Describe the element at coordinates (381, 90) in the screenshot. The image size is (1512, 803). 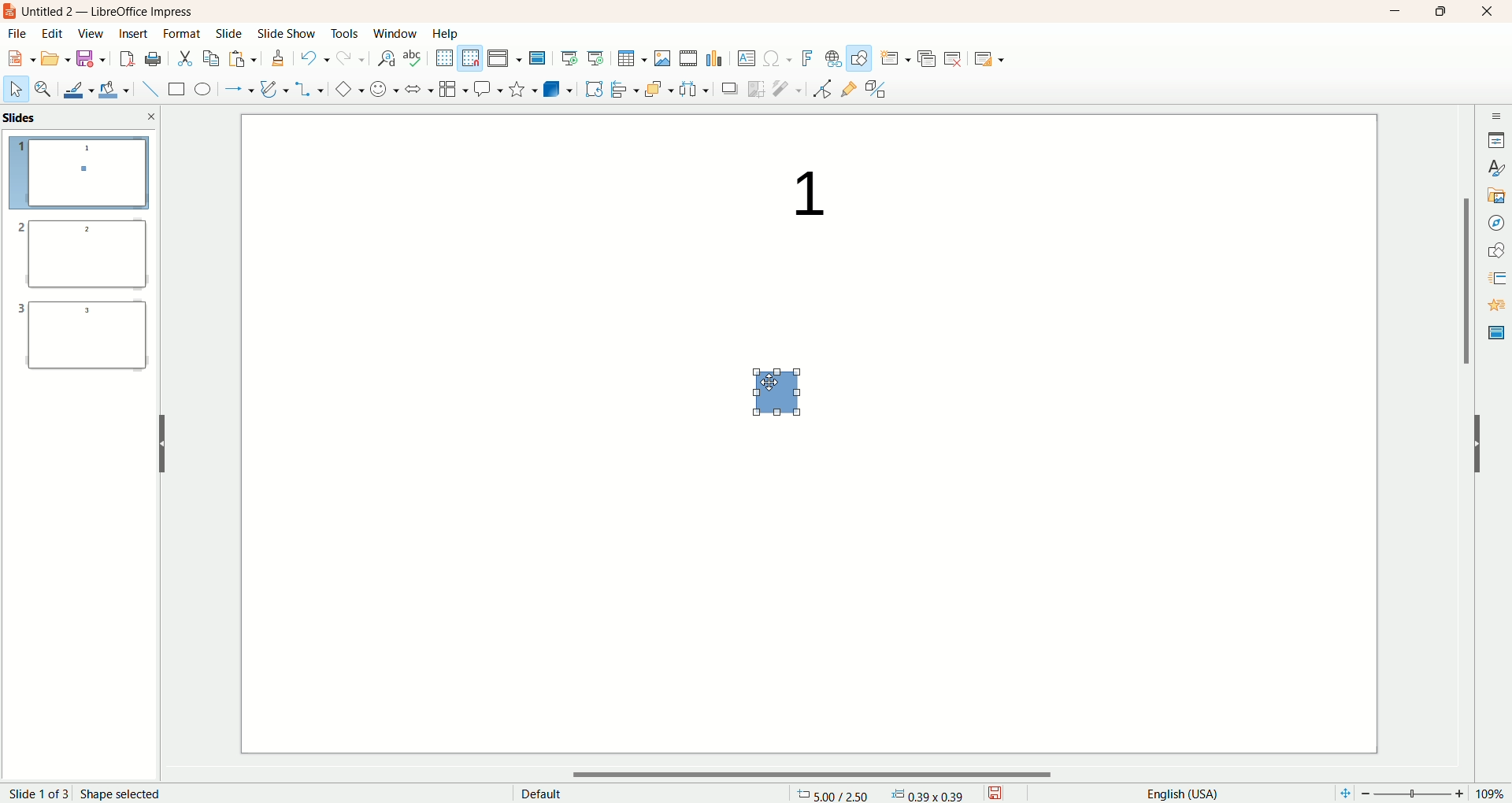
I see `symbol shapes` at that location.